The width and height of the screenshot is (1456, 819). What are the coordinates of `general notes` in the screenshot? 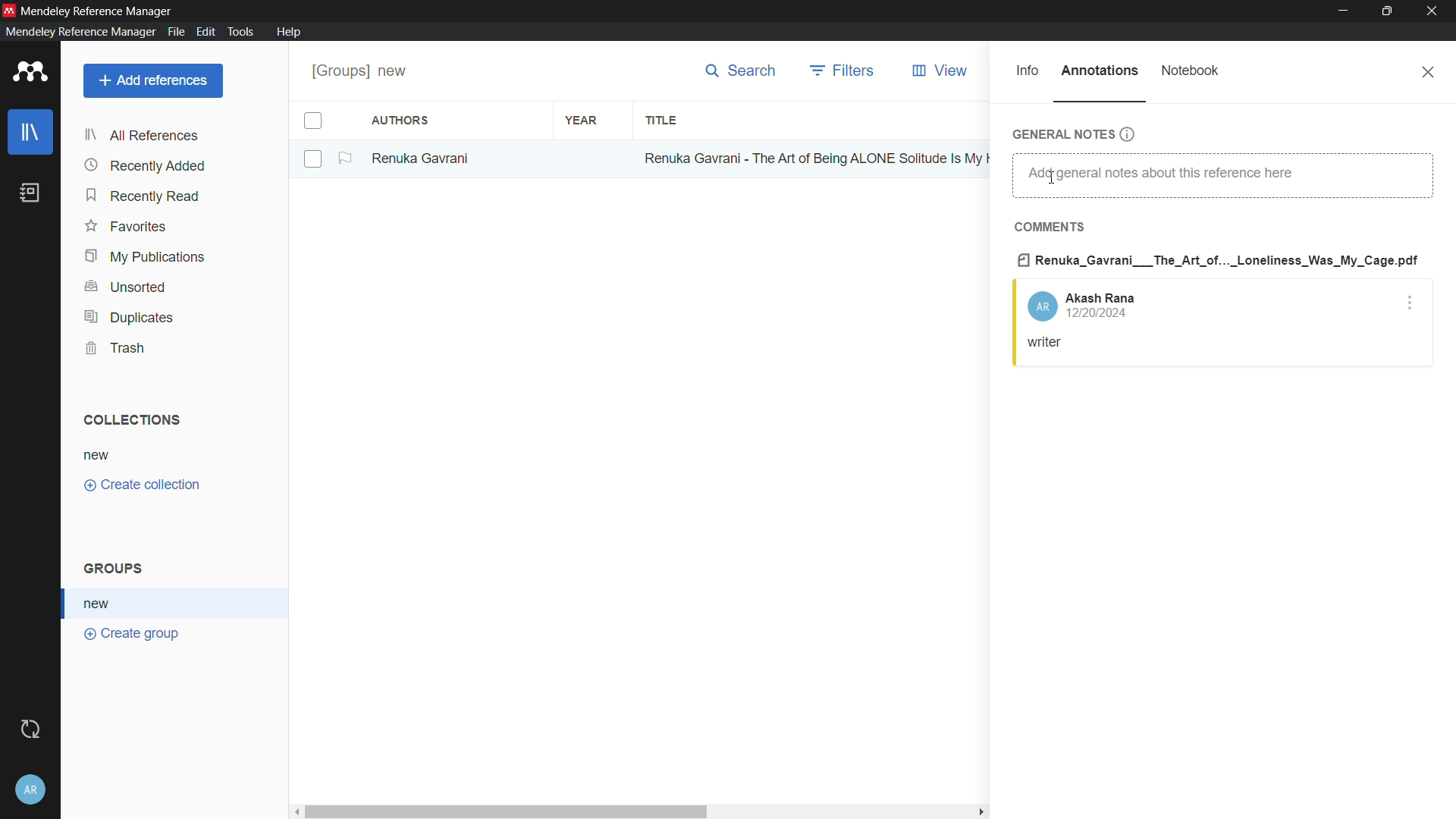 It's located at (1073, 134).